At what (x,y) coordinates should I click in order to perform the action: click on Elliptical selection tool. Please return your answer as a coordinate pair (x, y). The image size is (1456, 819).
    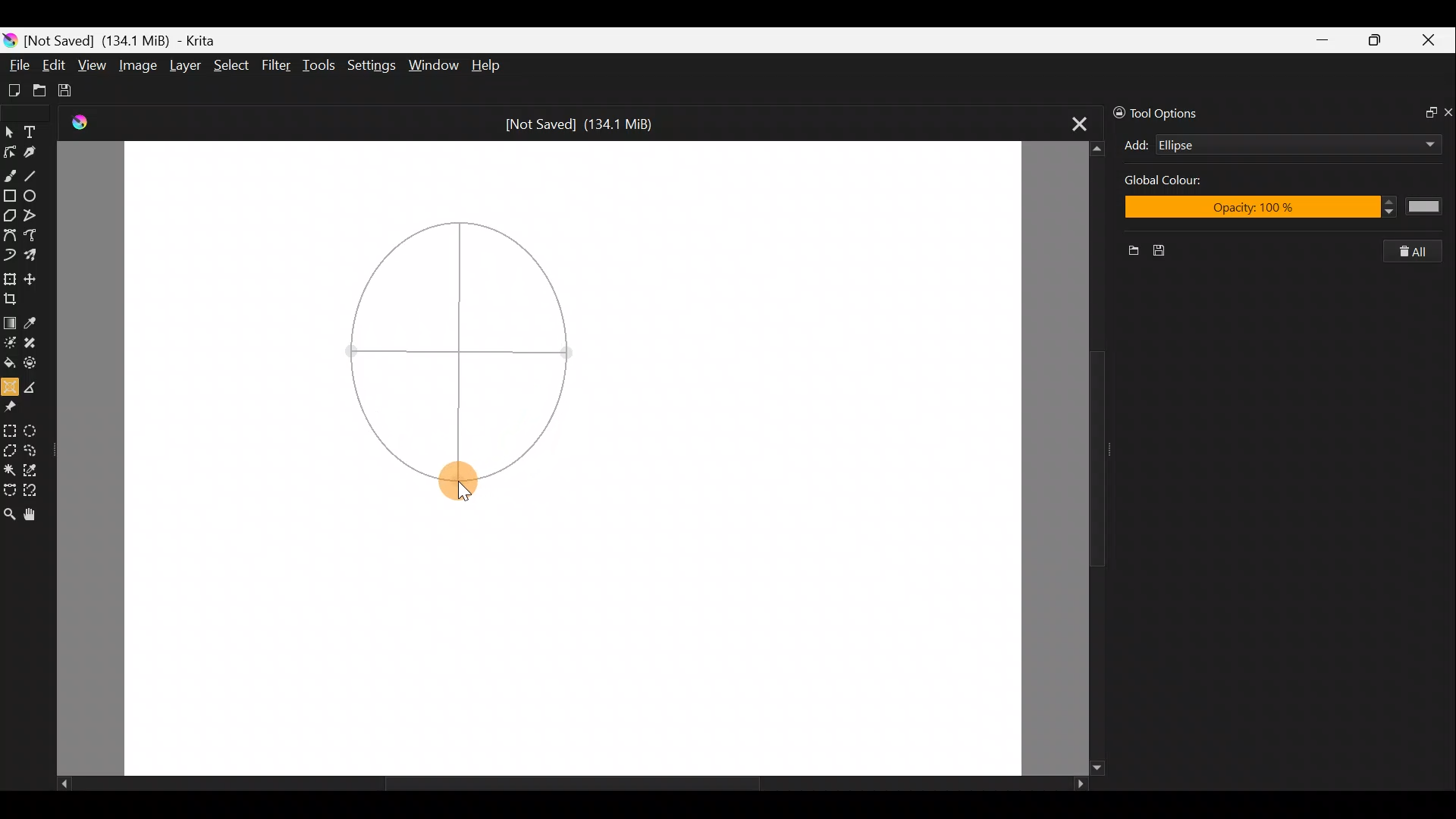
    Looking at the image, I should click on (38, 428).